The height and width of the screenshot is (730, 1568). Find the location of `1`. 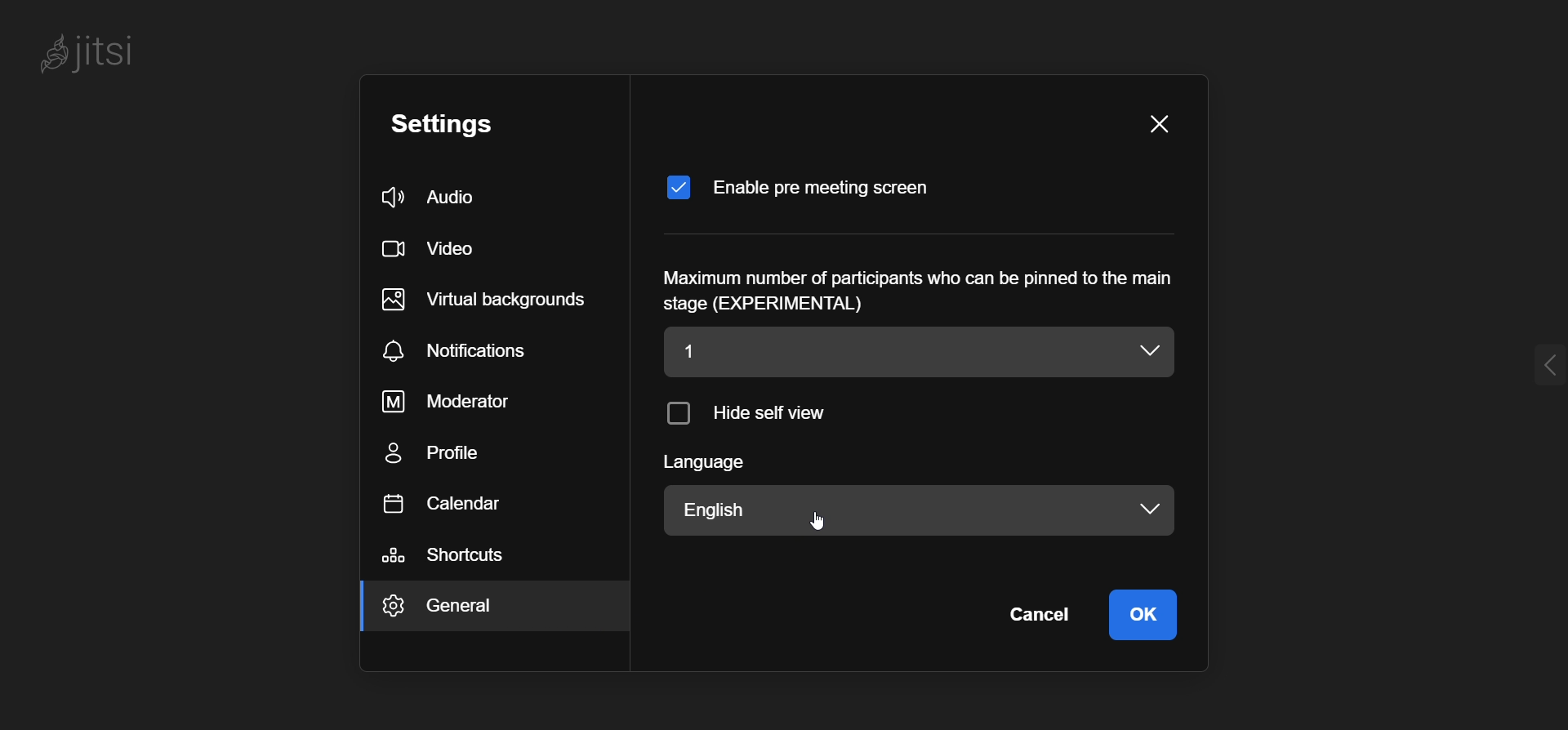

1 is located at coordinates (876, 354).